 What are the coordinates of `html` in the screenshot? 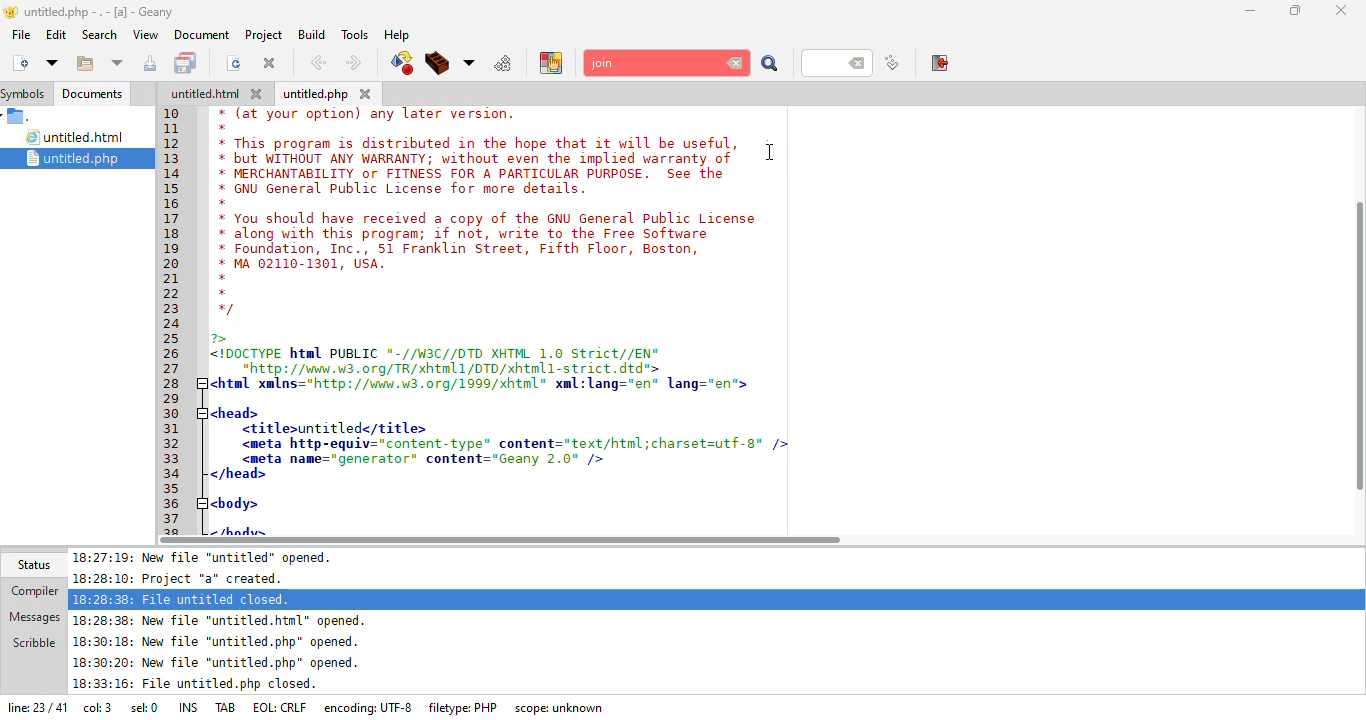 It's located at (205, 94).